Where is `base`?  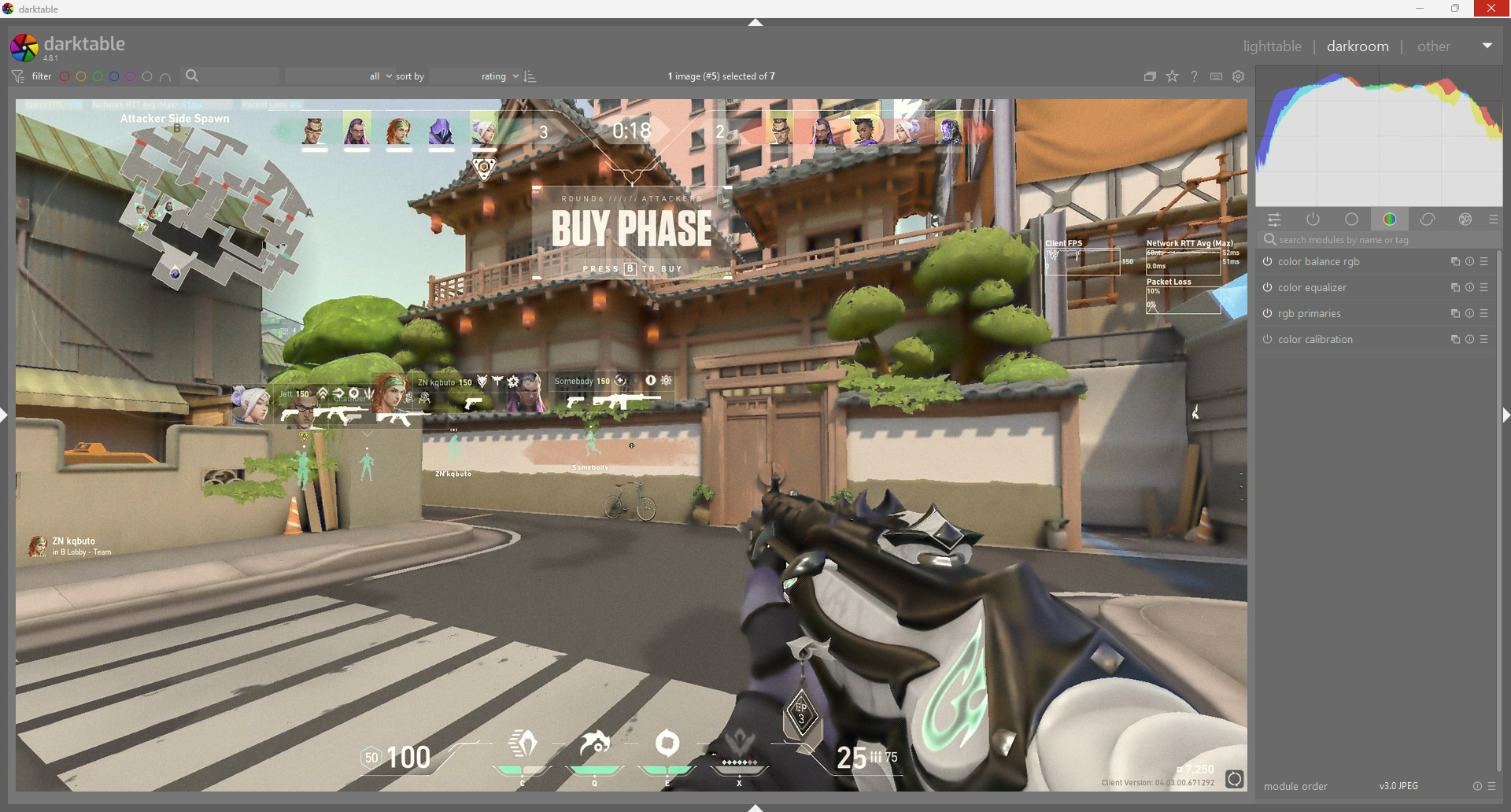
base is located at coordinates (1353, 220).